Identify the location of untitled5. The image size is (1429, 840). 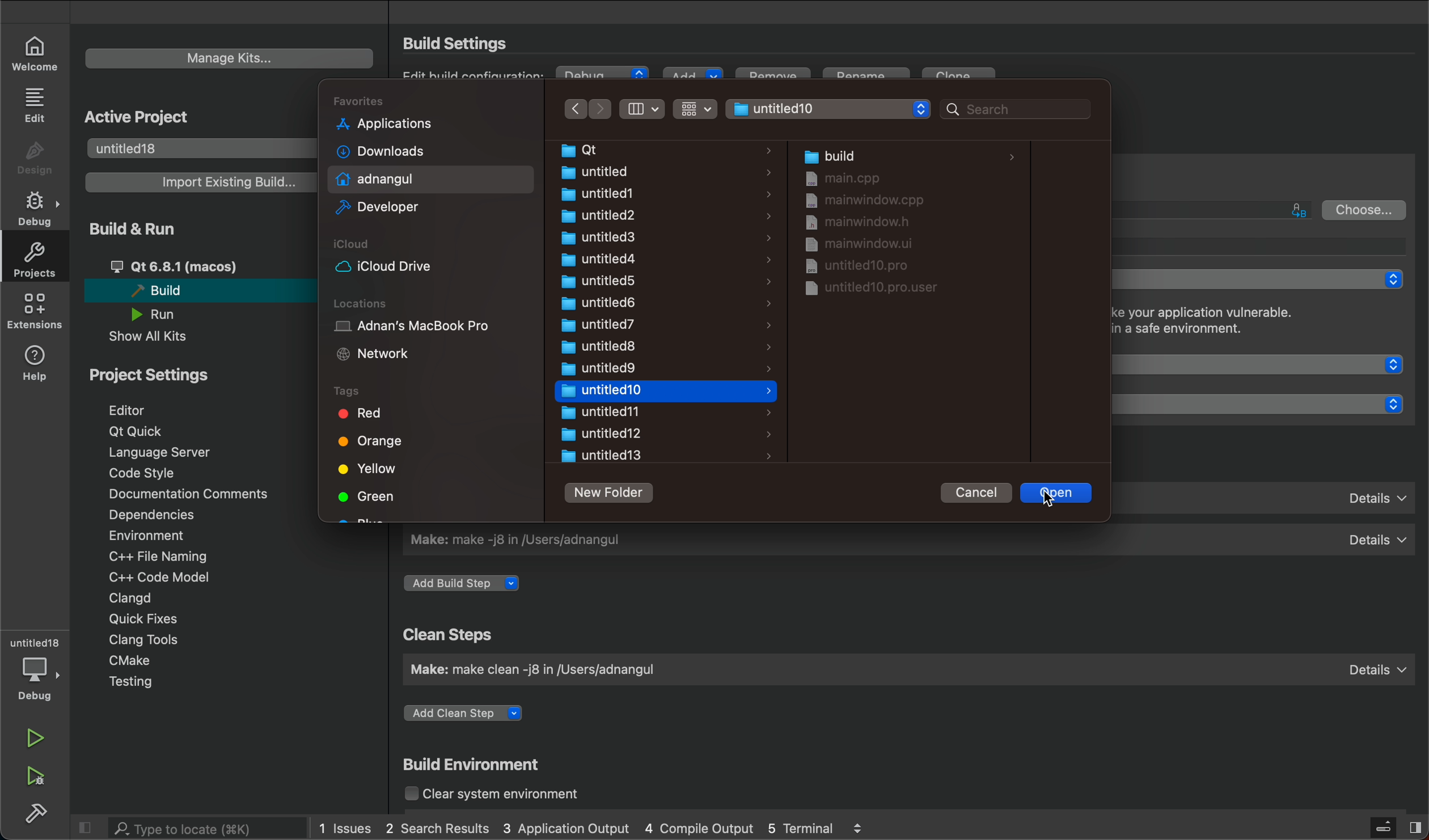
(651, 281).